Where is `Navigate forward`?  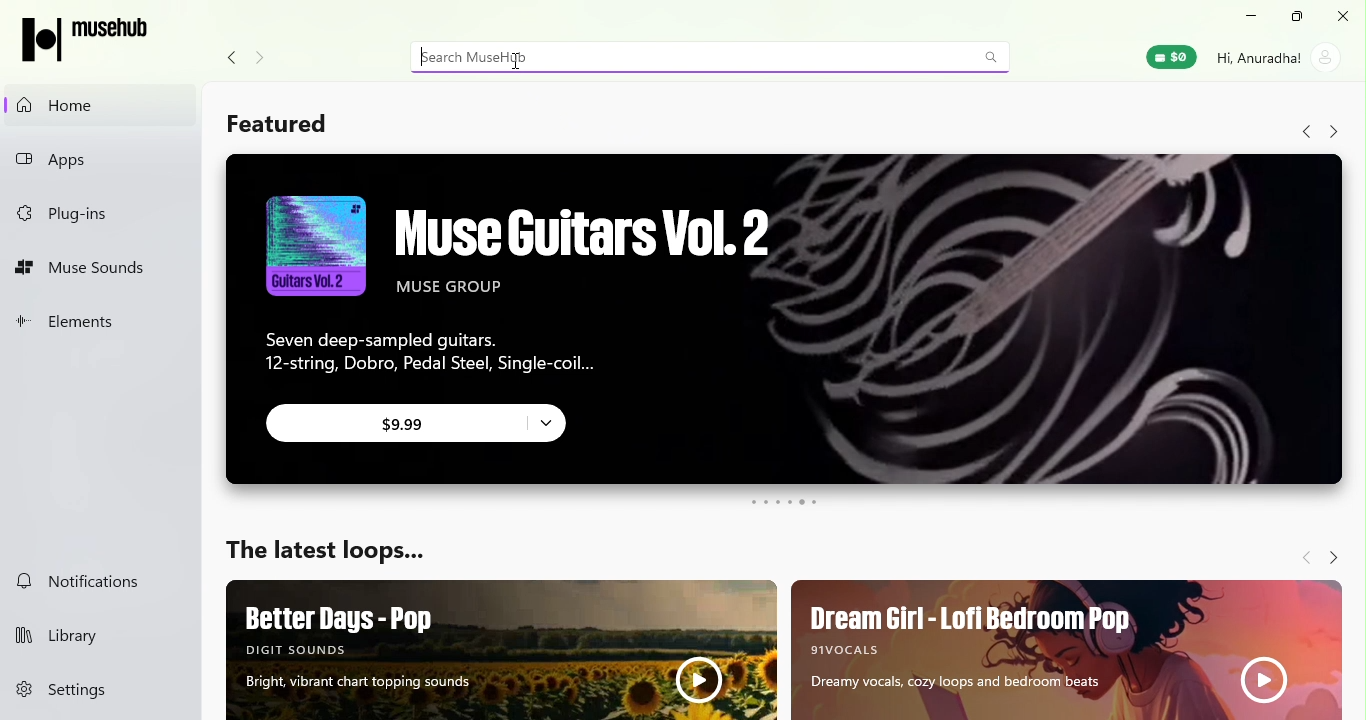
Navigate forward is located at coordinates (1301, 552).